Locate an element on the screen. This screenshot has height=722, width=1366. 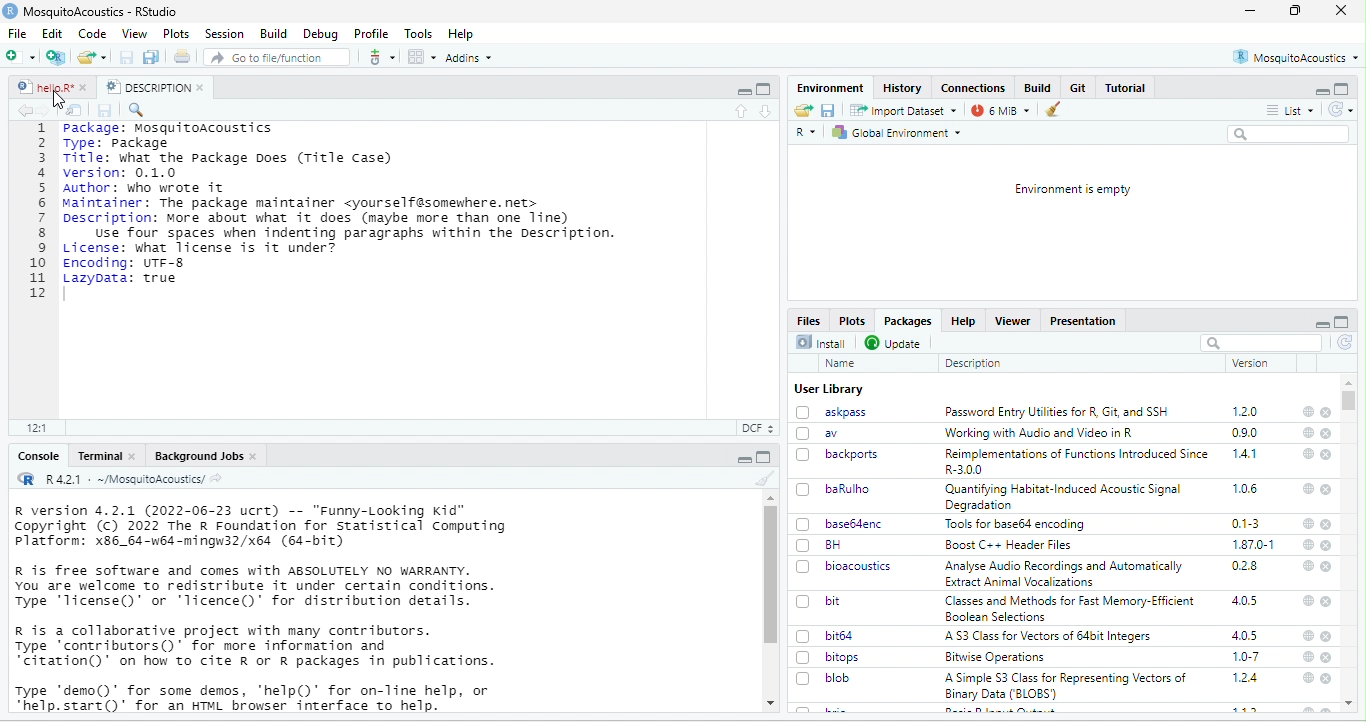
Description is located at coordinates (973, 363).